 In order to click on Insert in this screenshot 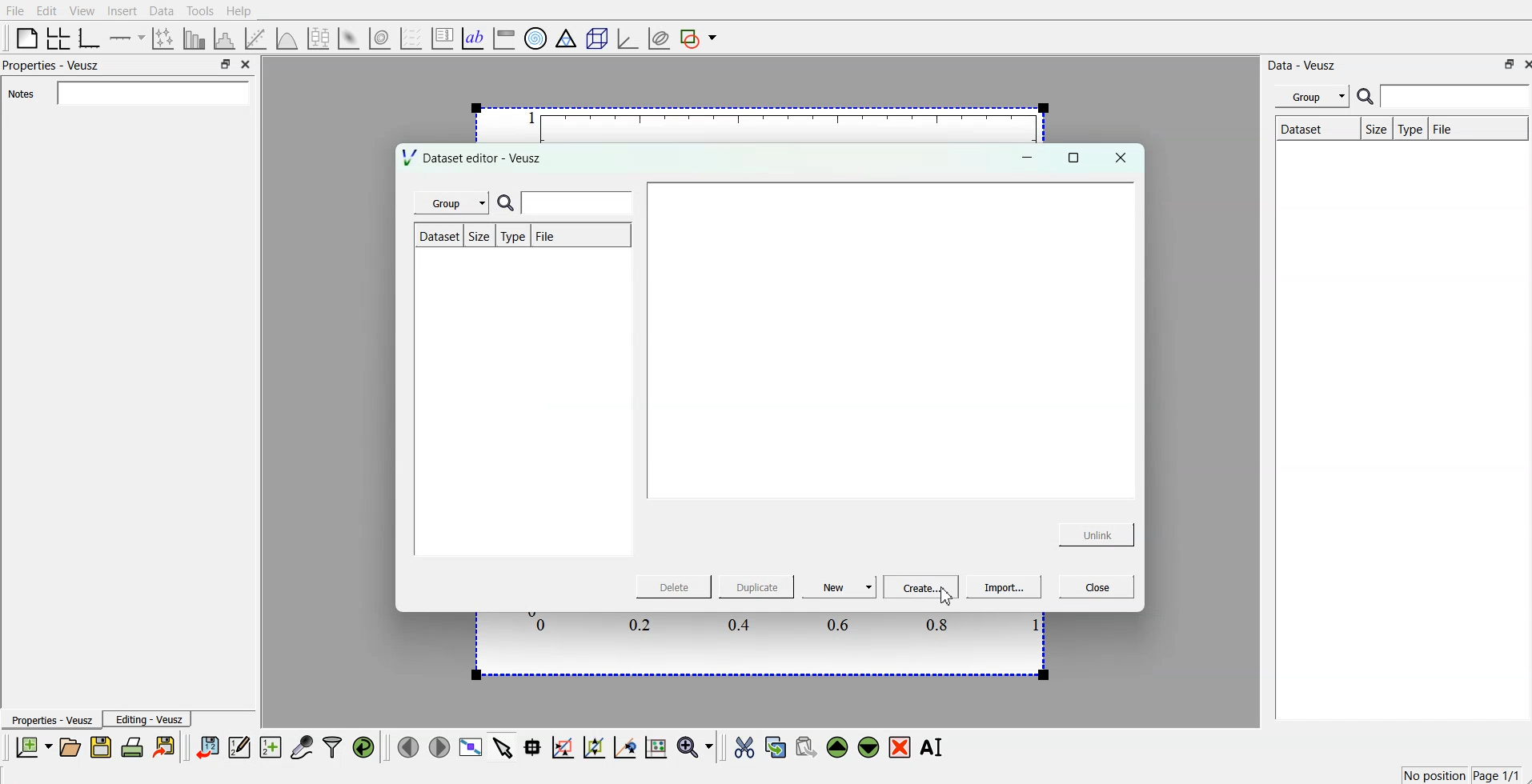, I will do `click(122, 10)`.